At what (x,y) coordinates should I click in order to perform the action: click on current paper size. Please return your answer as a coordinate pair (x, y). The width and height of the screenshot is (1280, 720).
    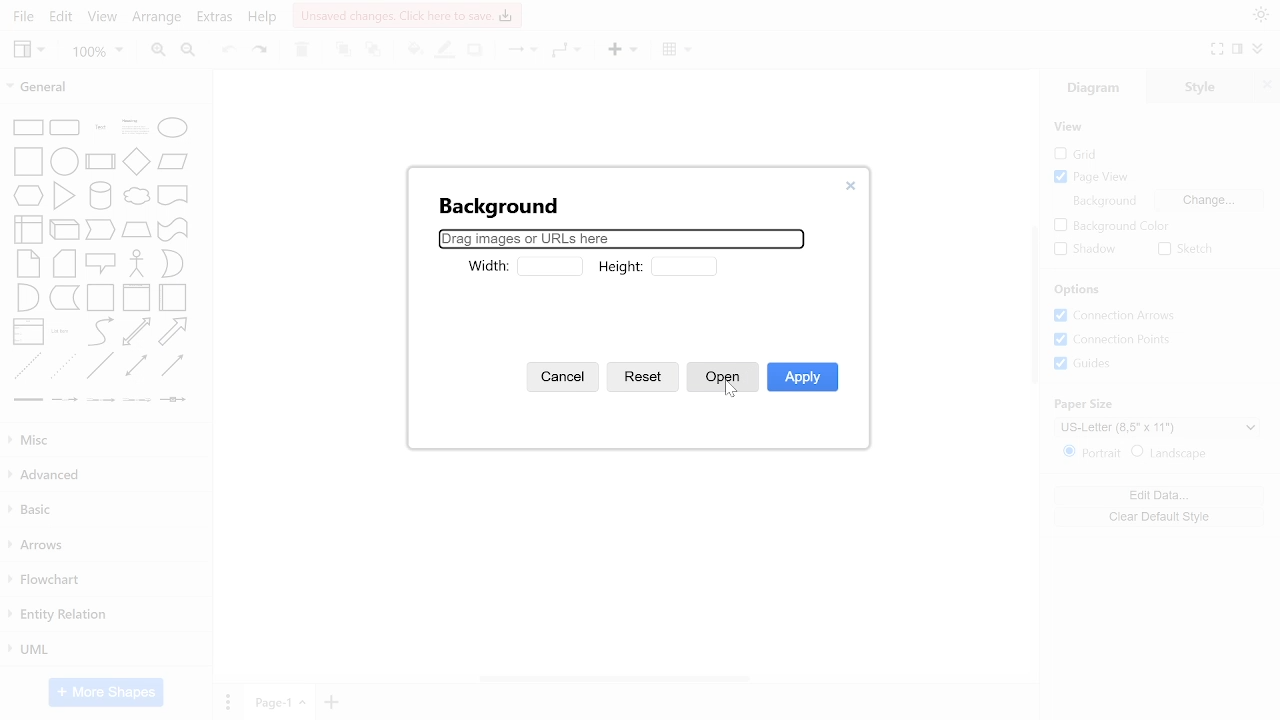
    Looking at the image, I should click on (1159, 426).